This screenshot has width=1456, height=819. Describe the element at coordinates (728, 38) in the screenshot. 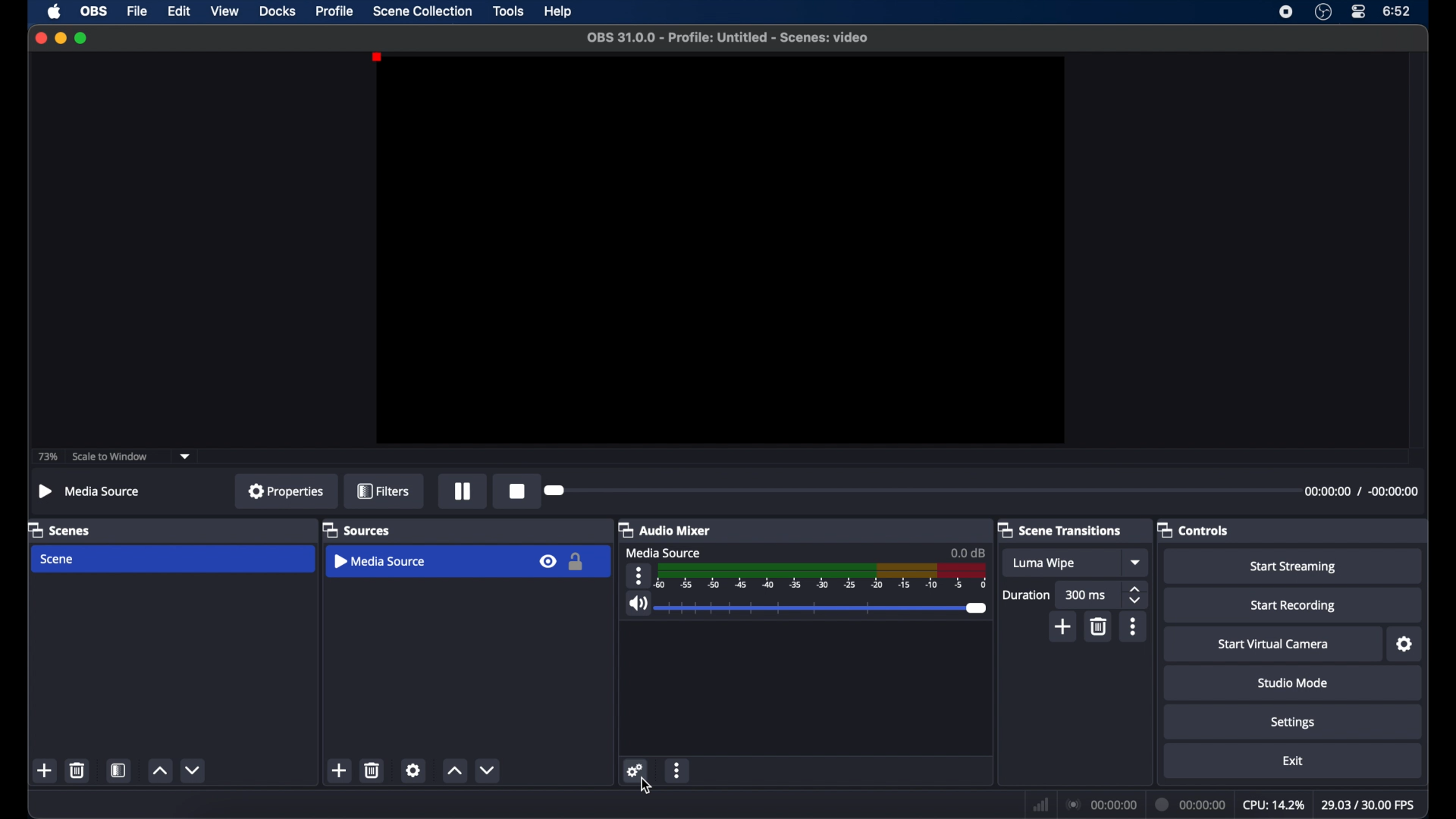

I see `filename` at that location.